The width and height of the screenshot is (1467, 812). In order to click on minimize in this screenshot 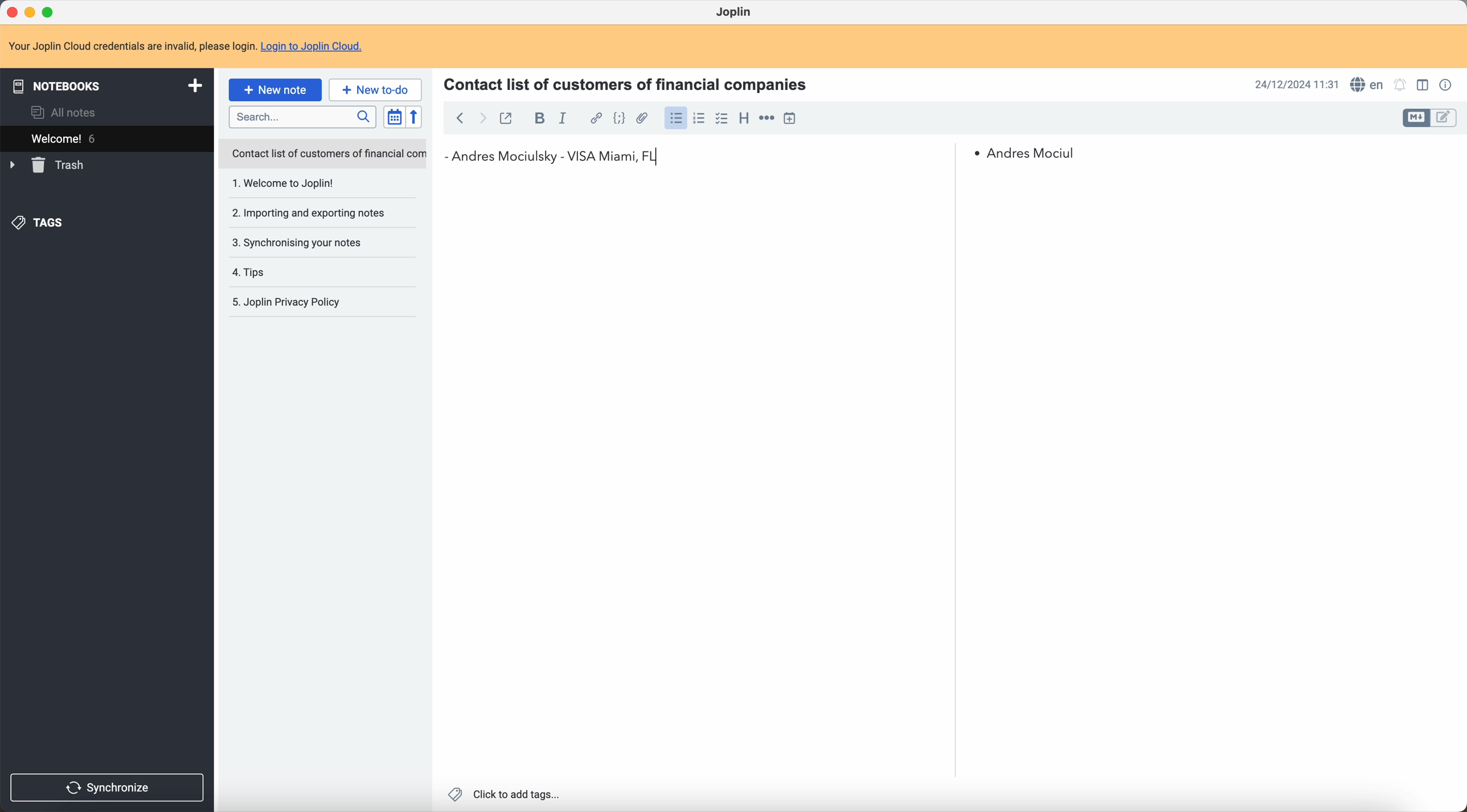, I will do `click(30, 11)`.